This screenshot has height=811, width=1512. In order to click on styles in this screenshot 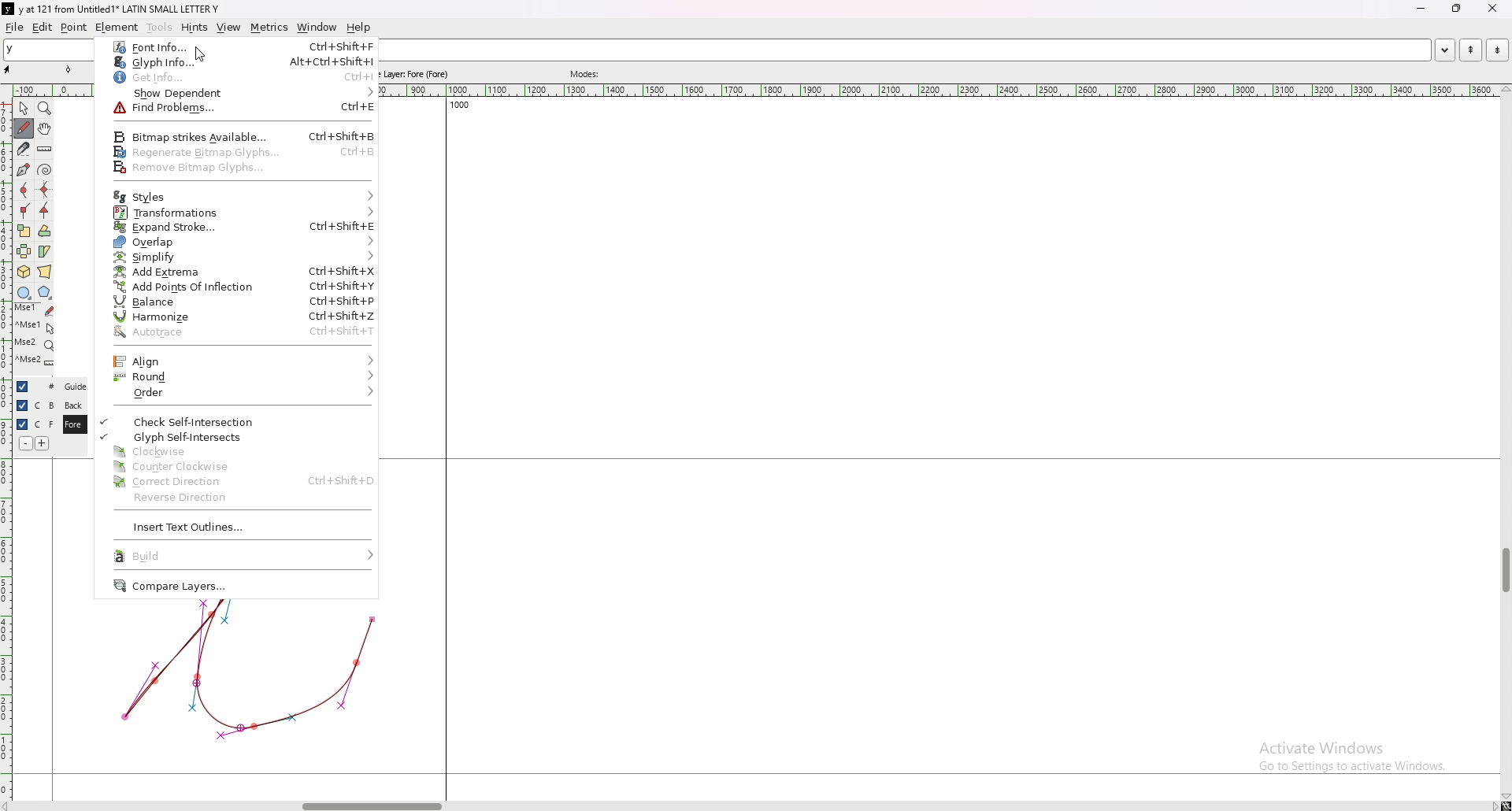, I will do `click(239, 196)`.